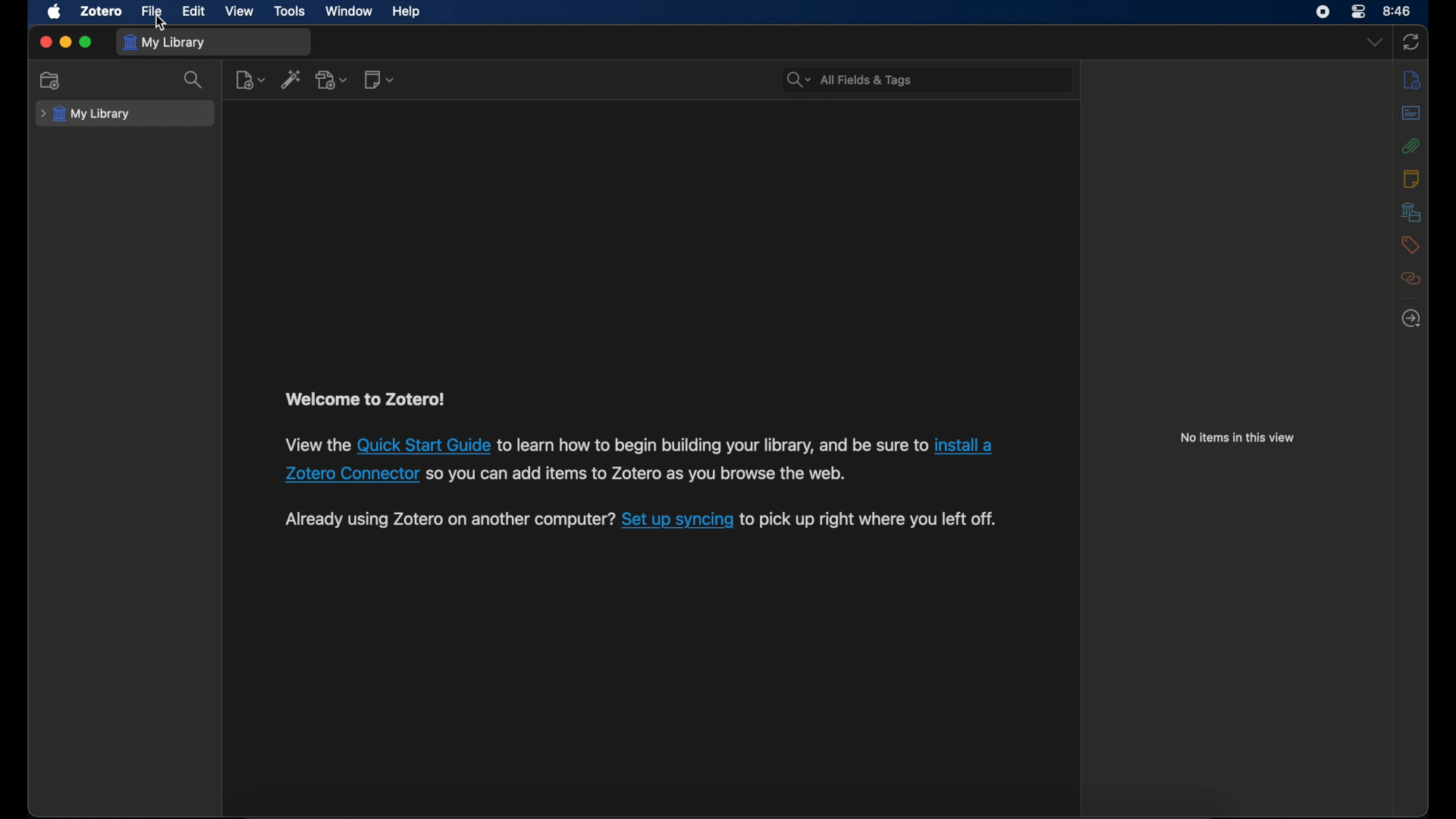  What do you see at coordinates (643, 476) in the screenshot?
I see `software information` at bounding box center [643, 476].